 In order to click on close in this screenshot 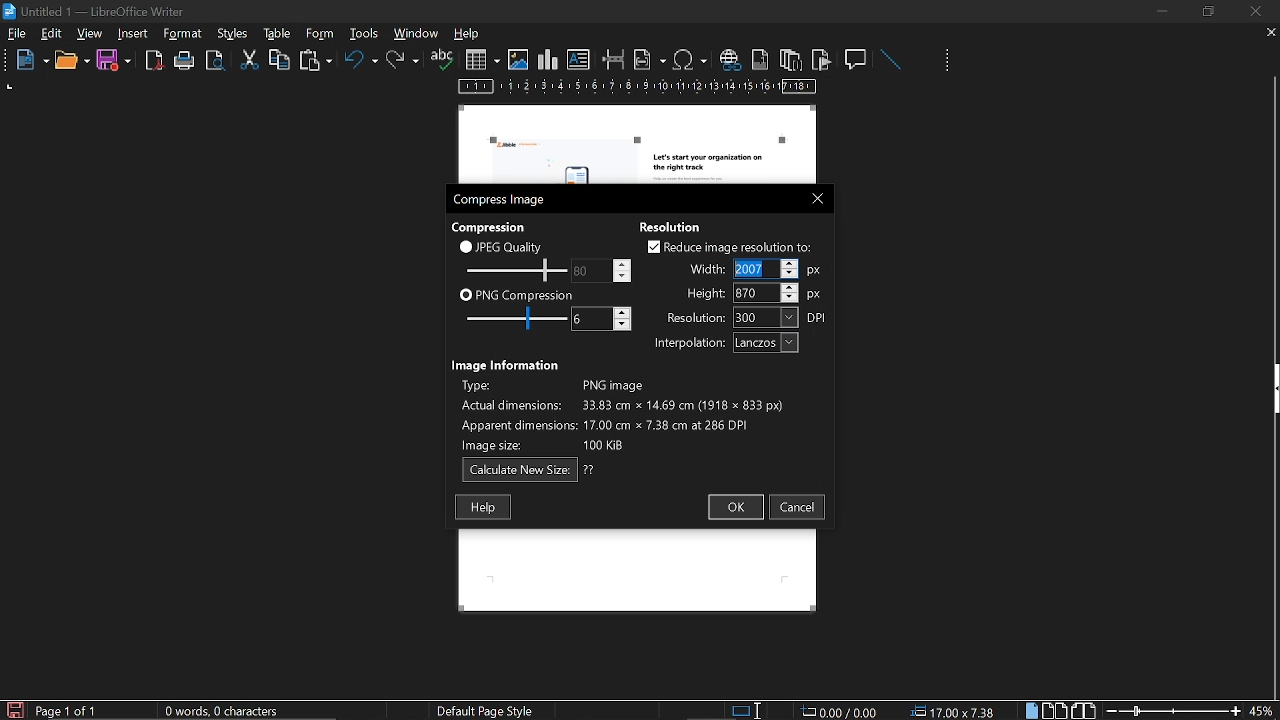, I will do `click(1254, 11)`.